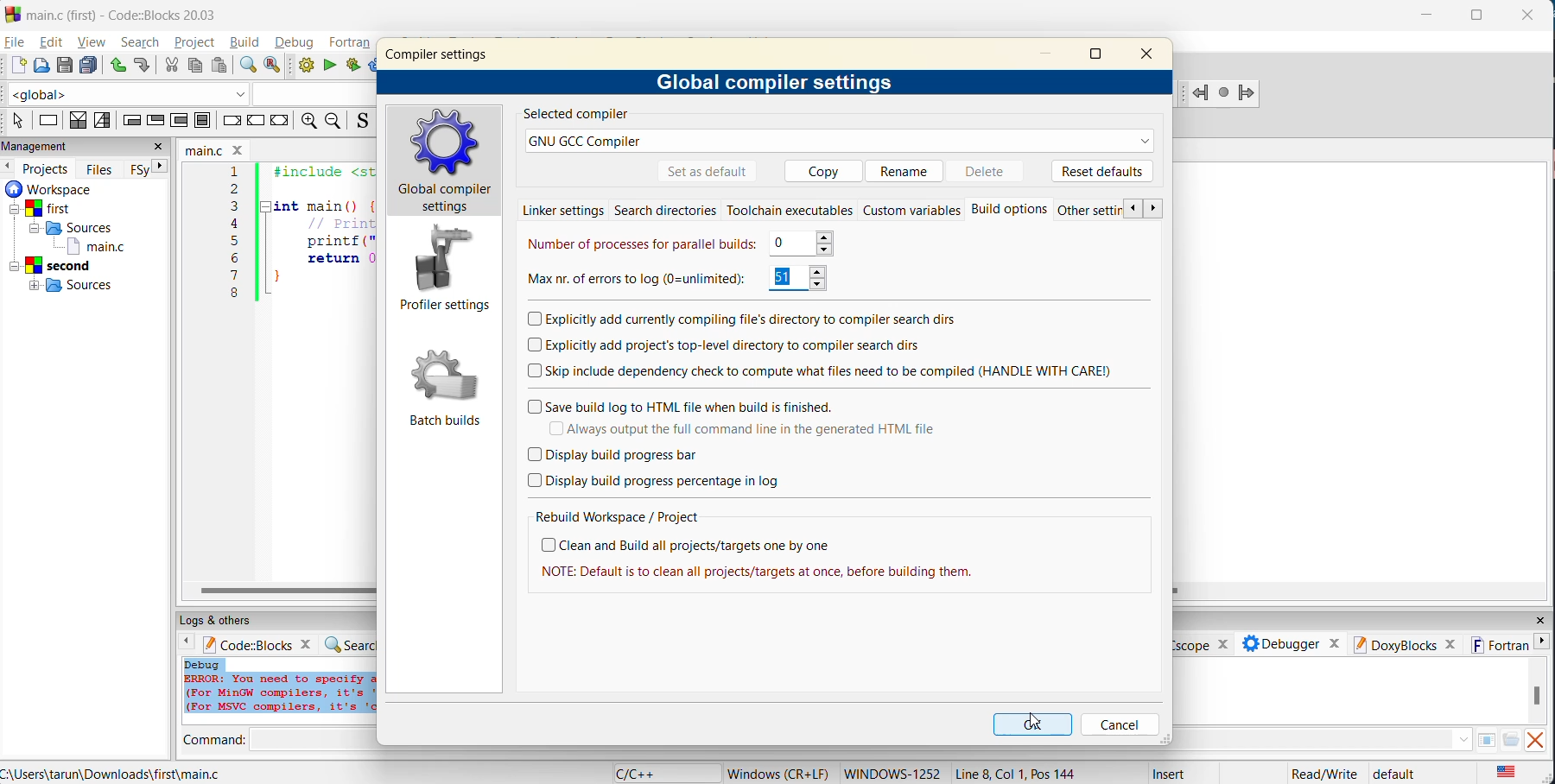 This screenshot has width=1555, height=784. Describe the element at coordinates (1100, 53) in the screenshot. I see `maximize` at that location.